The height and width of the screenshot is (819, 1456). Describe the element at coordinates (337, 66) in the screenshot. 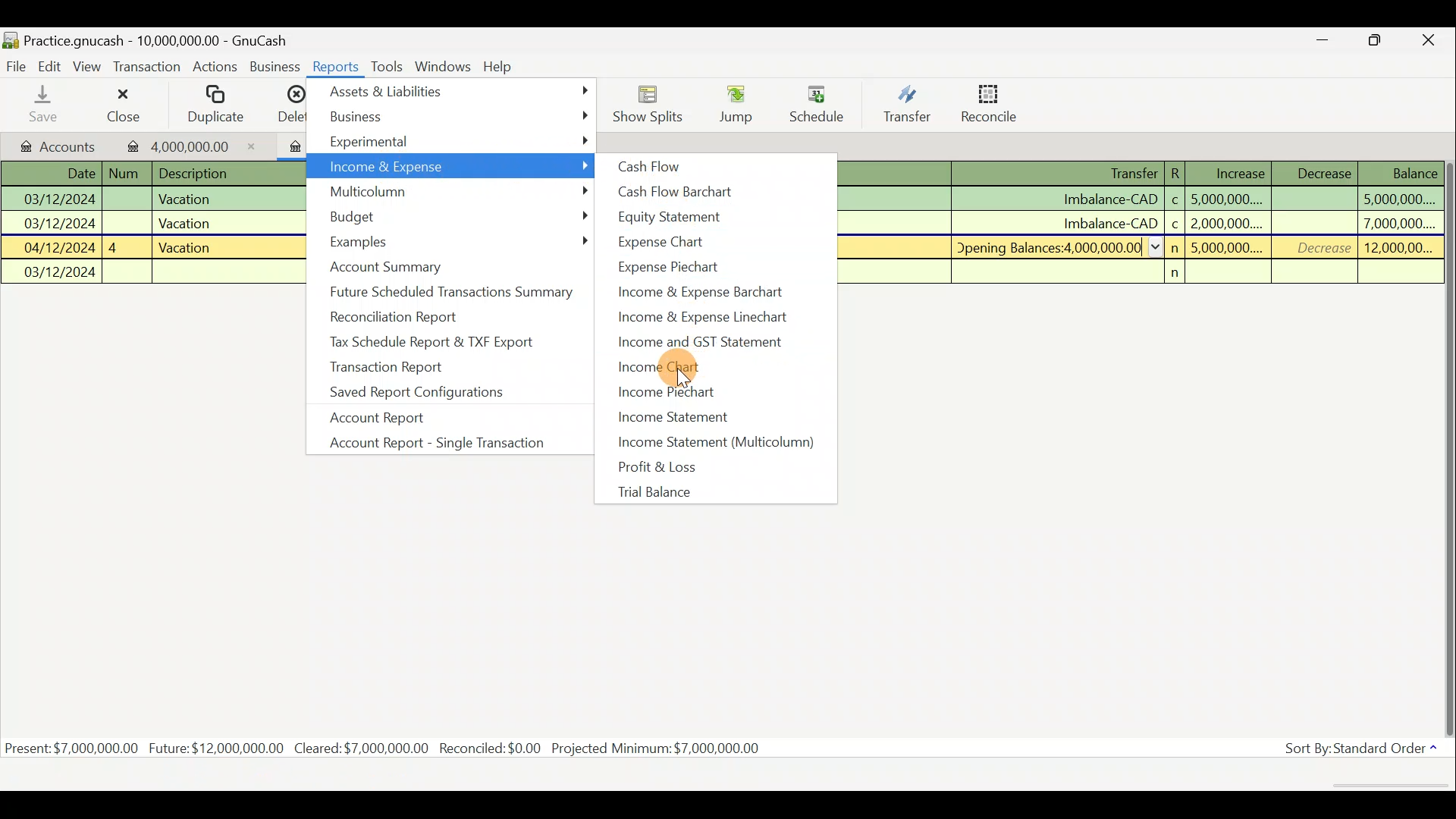

I see `Reports` at that location.